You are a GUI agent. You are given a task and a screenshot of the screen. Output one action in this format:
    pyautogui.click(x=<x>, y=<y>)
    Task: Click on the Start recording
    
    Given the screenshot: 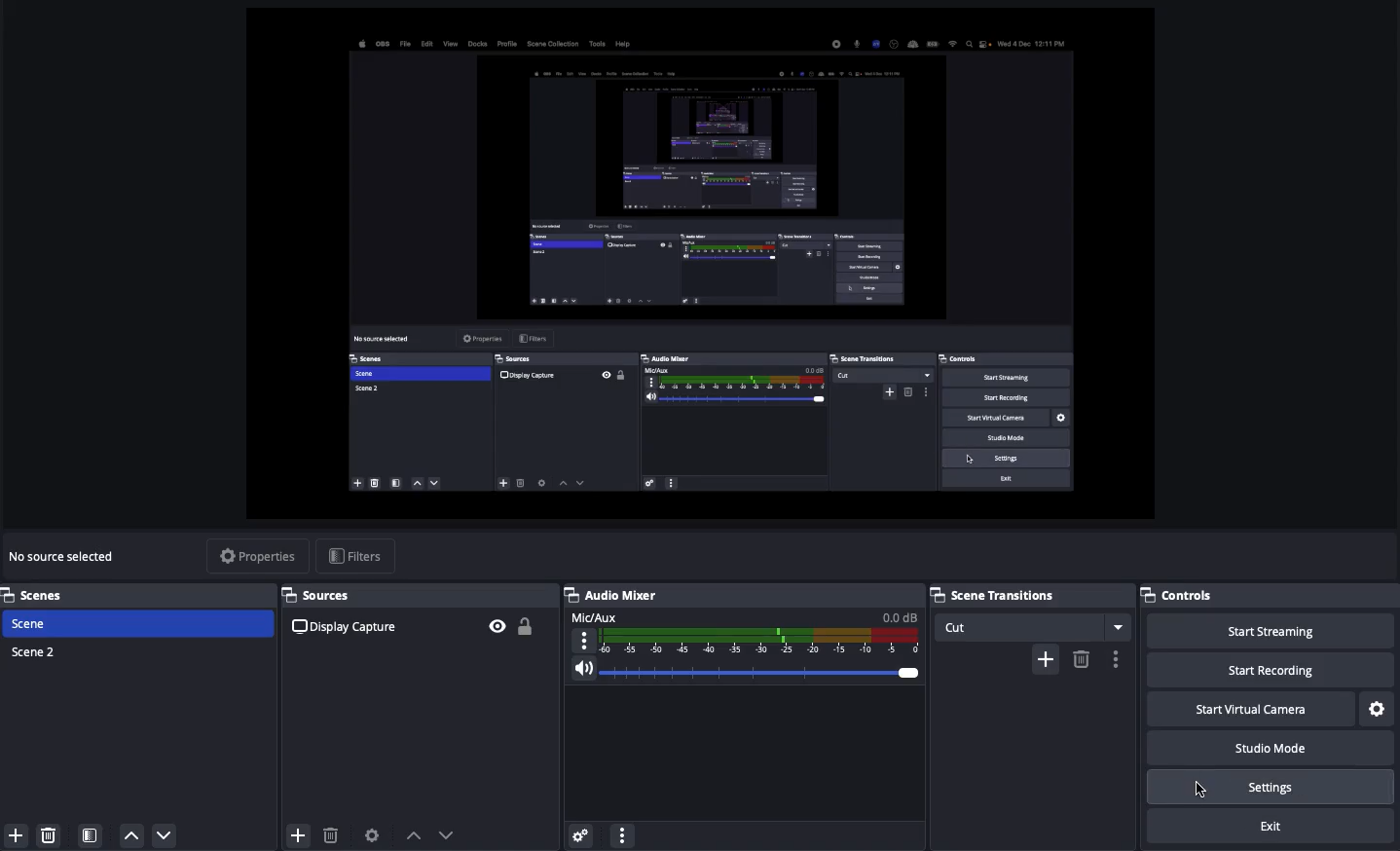 What is the action you would take?
    pyautogui.click(x=1271, y=671)
    